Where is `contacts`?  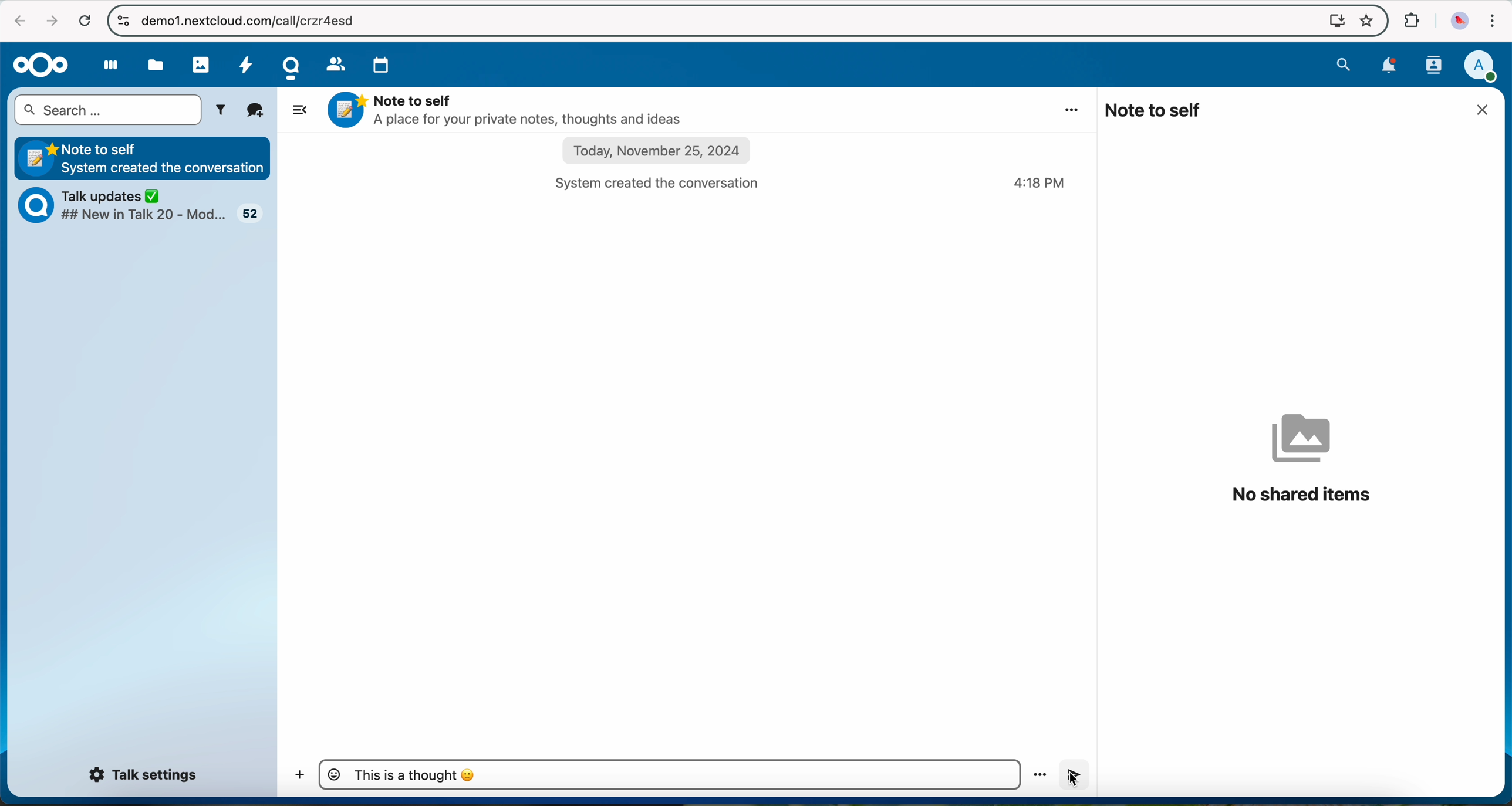 contacts is located at coordinates (1435, 66).